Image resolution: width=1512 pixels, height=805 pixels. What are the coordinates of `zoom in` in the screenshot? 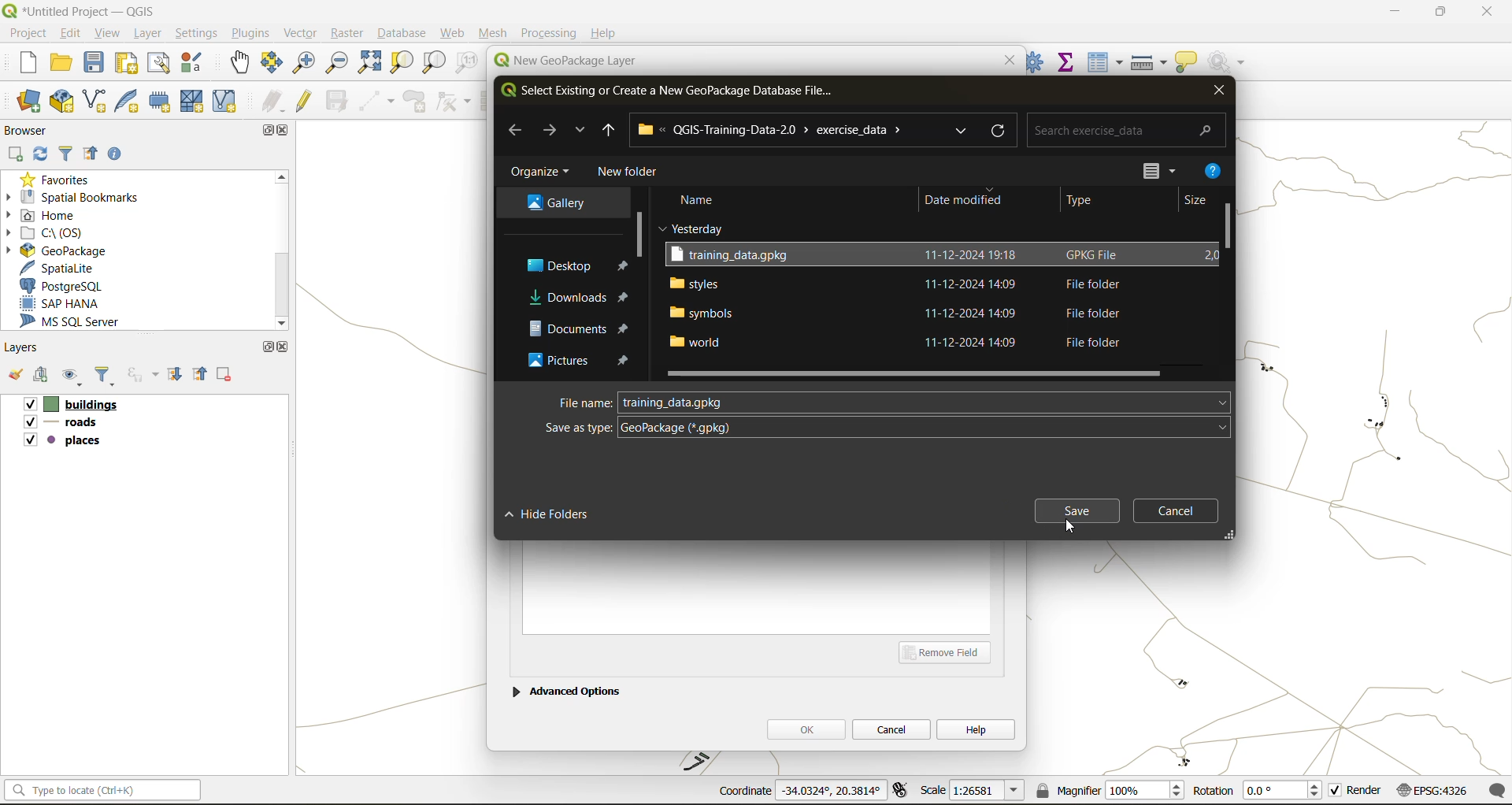 It's located at (302, 61).